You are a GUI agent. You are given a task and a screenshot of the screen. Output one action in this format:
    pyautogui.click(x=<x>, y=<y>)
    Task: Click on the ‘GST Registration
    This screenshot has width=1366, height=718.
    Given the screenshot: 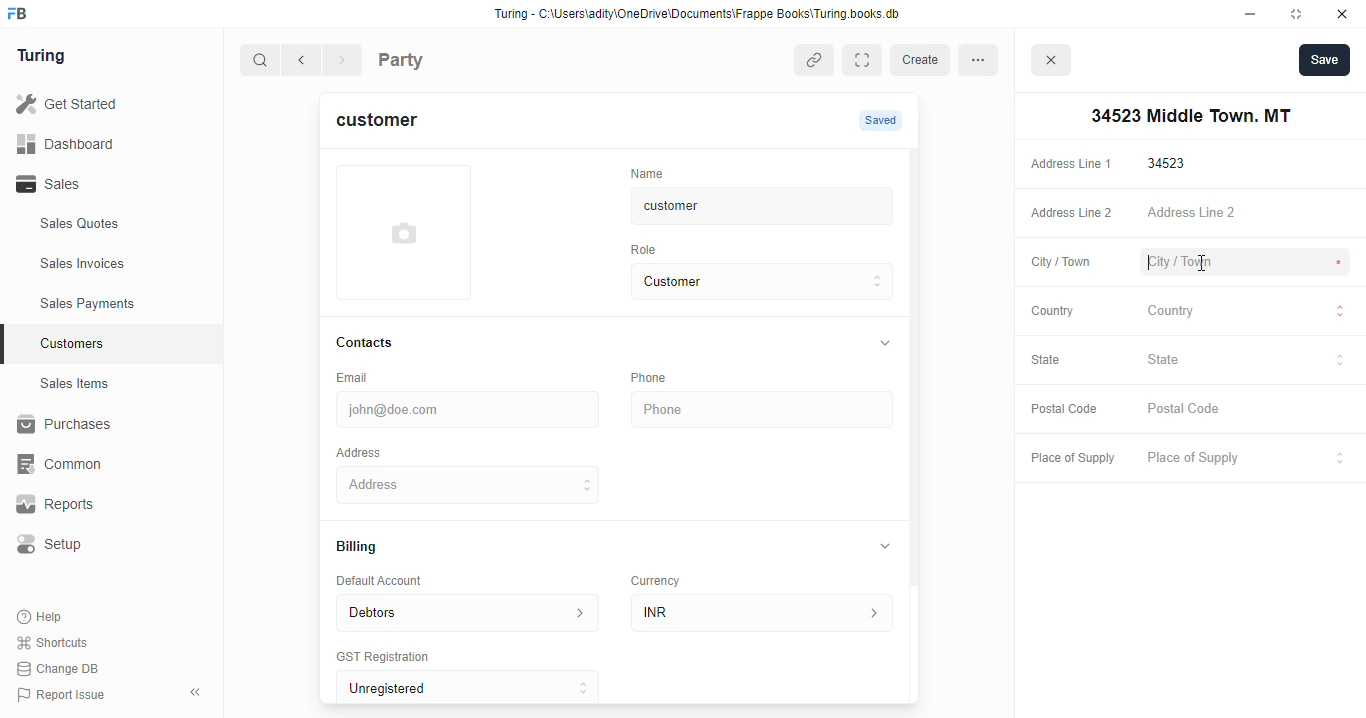 What is the action you would take?
    pyautogui.click(x=390, y=658)
    